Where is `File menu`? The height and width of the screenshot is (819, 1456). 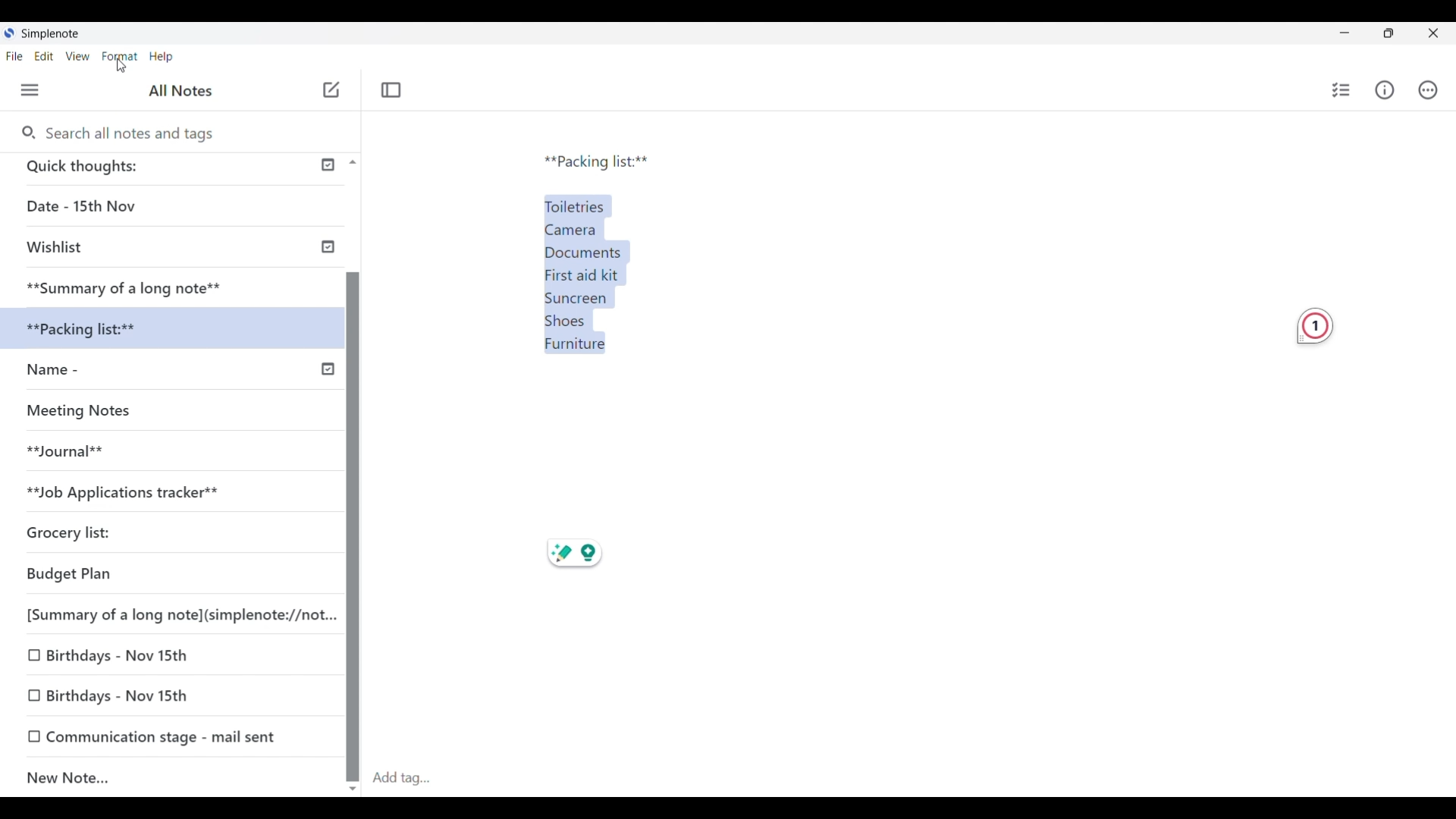 File menu is located at coordinates (14, 56).